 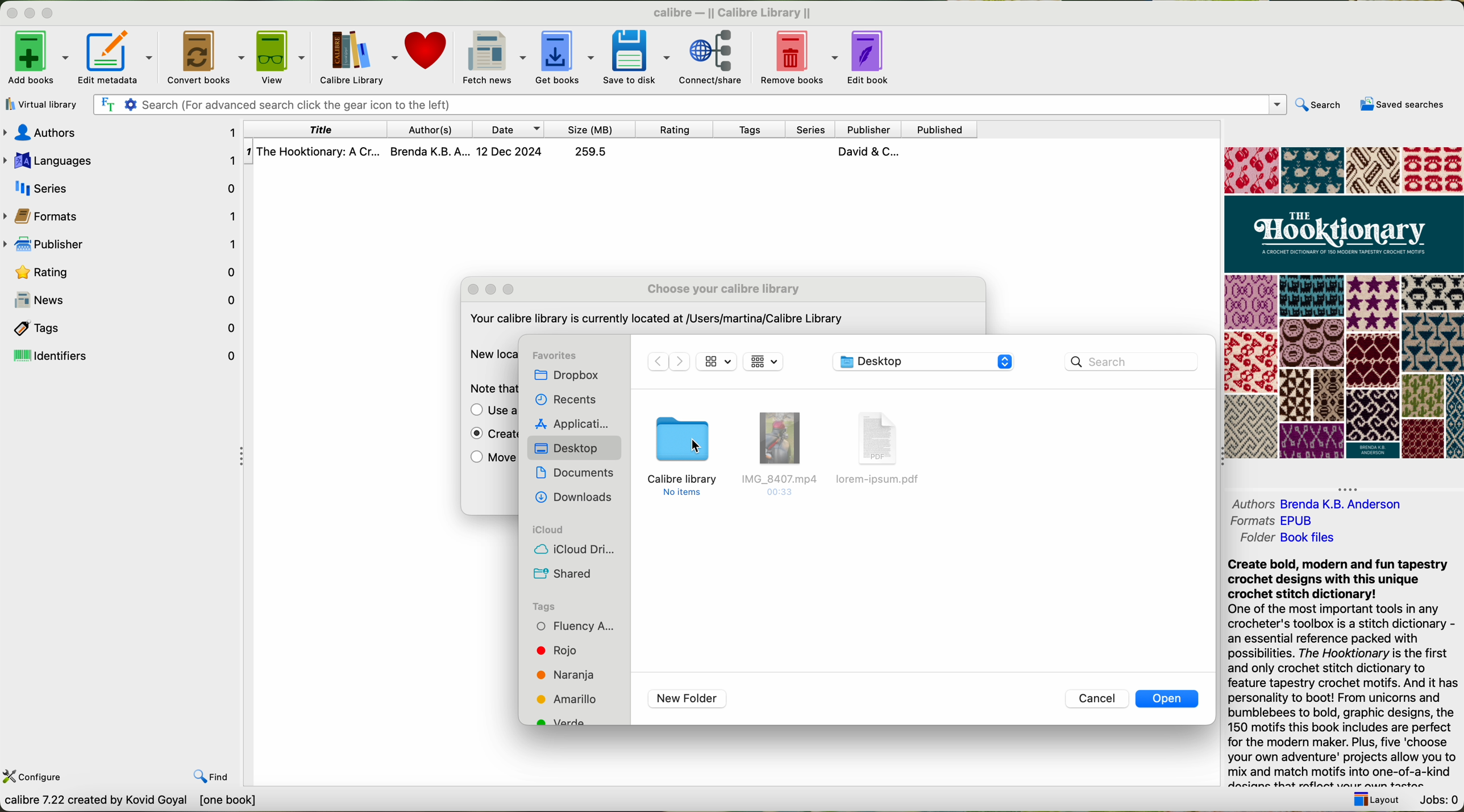 What do you see at coordinates (36, 776) in the screenshot?
I see `configure` at bounding box center [36, 776].